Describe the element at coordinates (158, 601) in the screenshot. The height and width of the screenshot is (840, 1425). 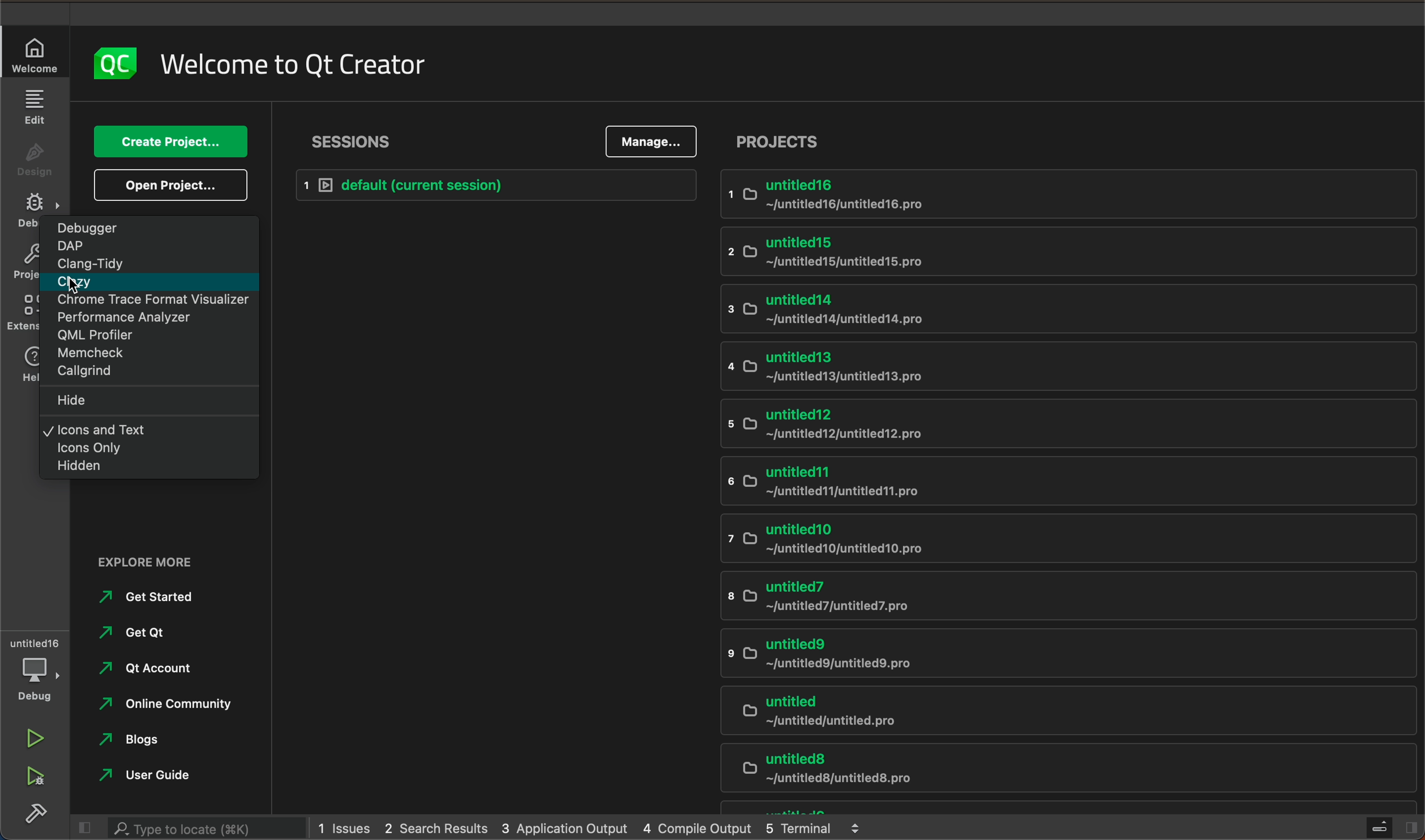
I see `get started` at that location.